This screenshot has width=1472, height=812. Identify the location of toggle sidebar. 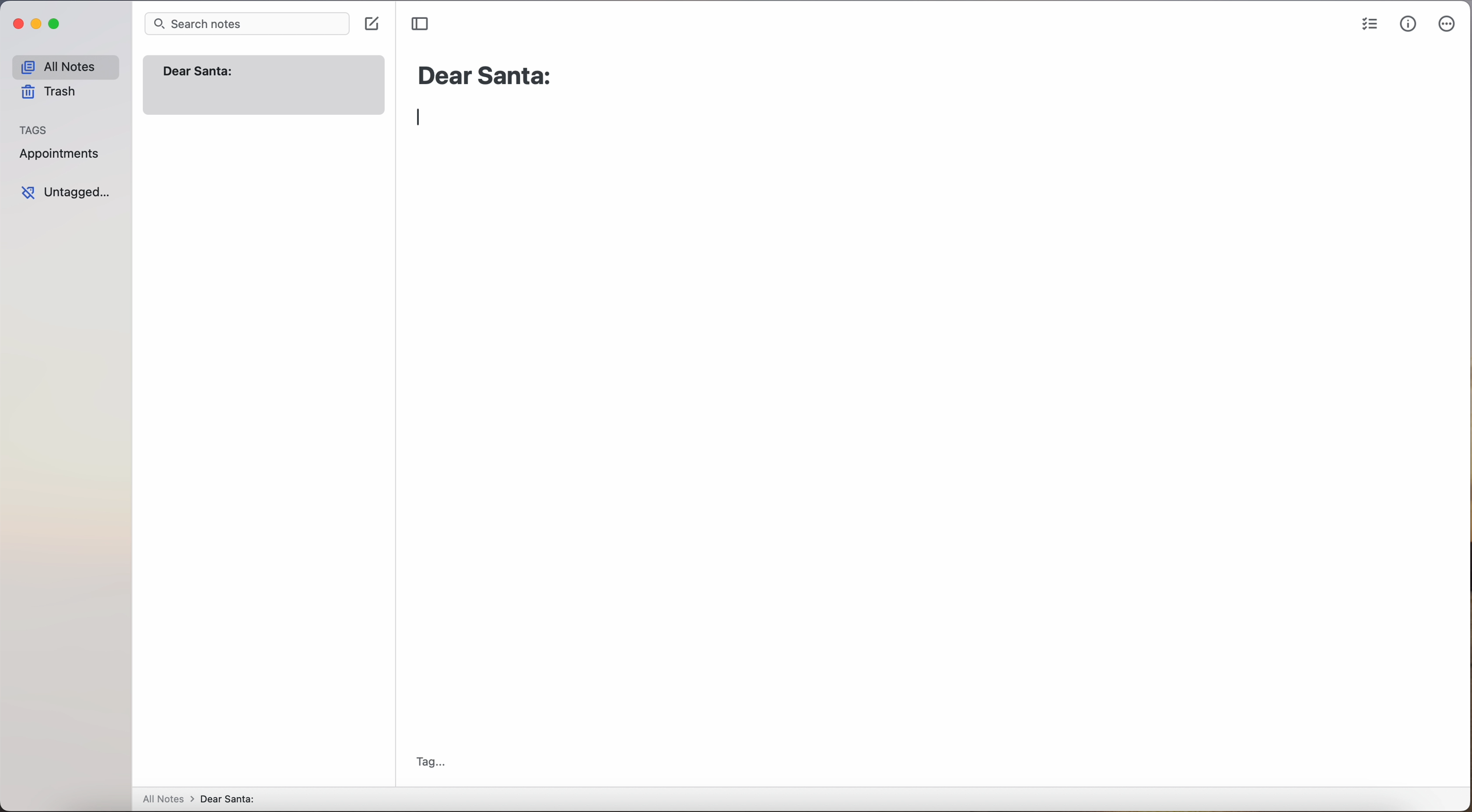
(418, 24).